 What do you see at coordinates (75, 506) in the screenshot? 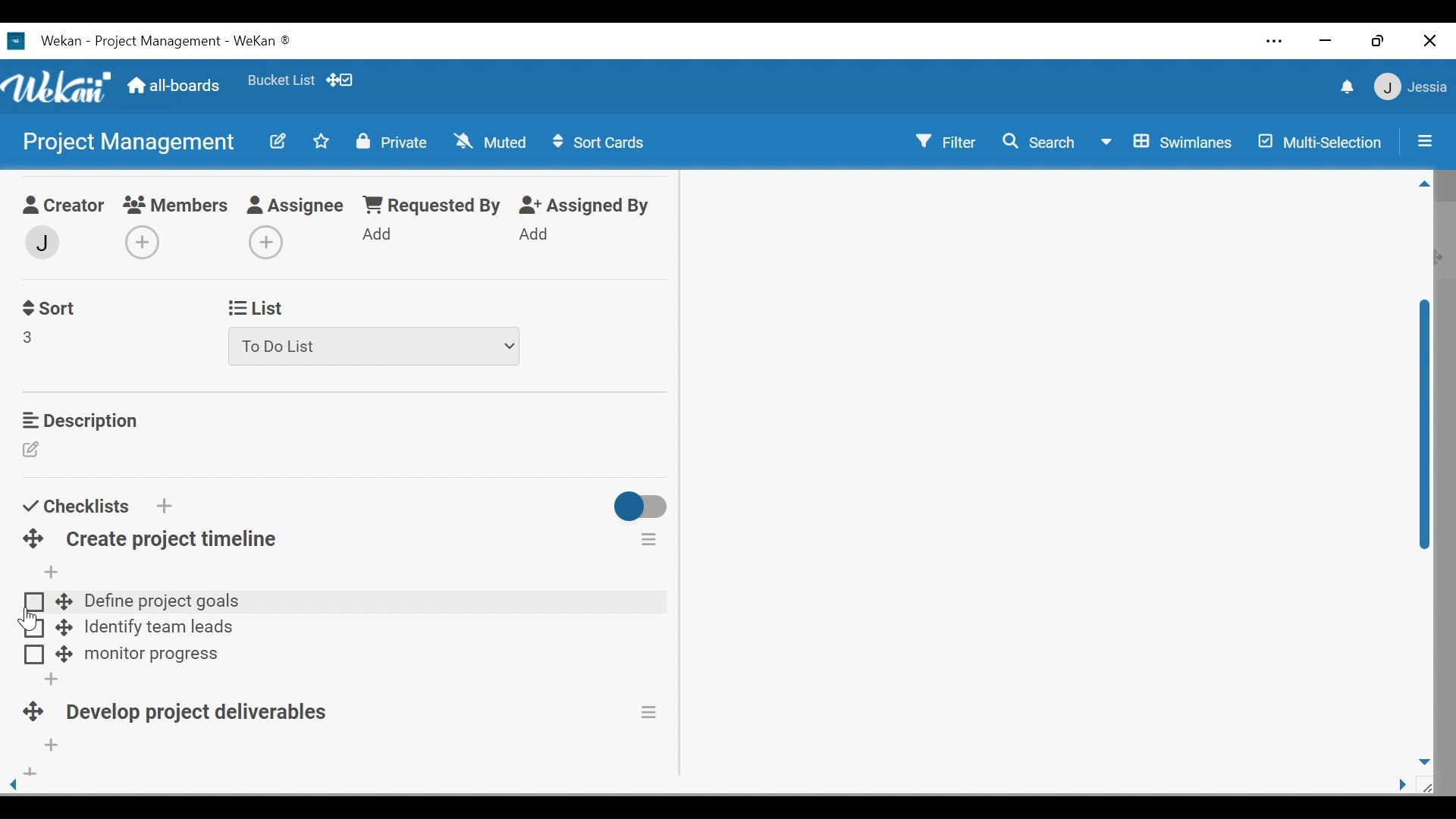
I see `Checklists` at bounding box center [75, 506].